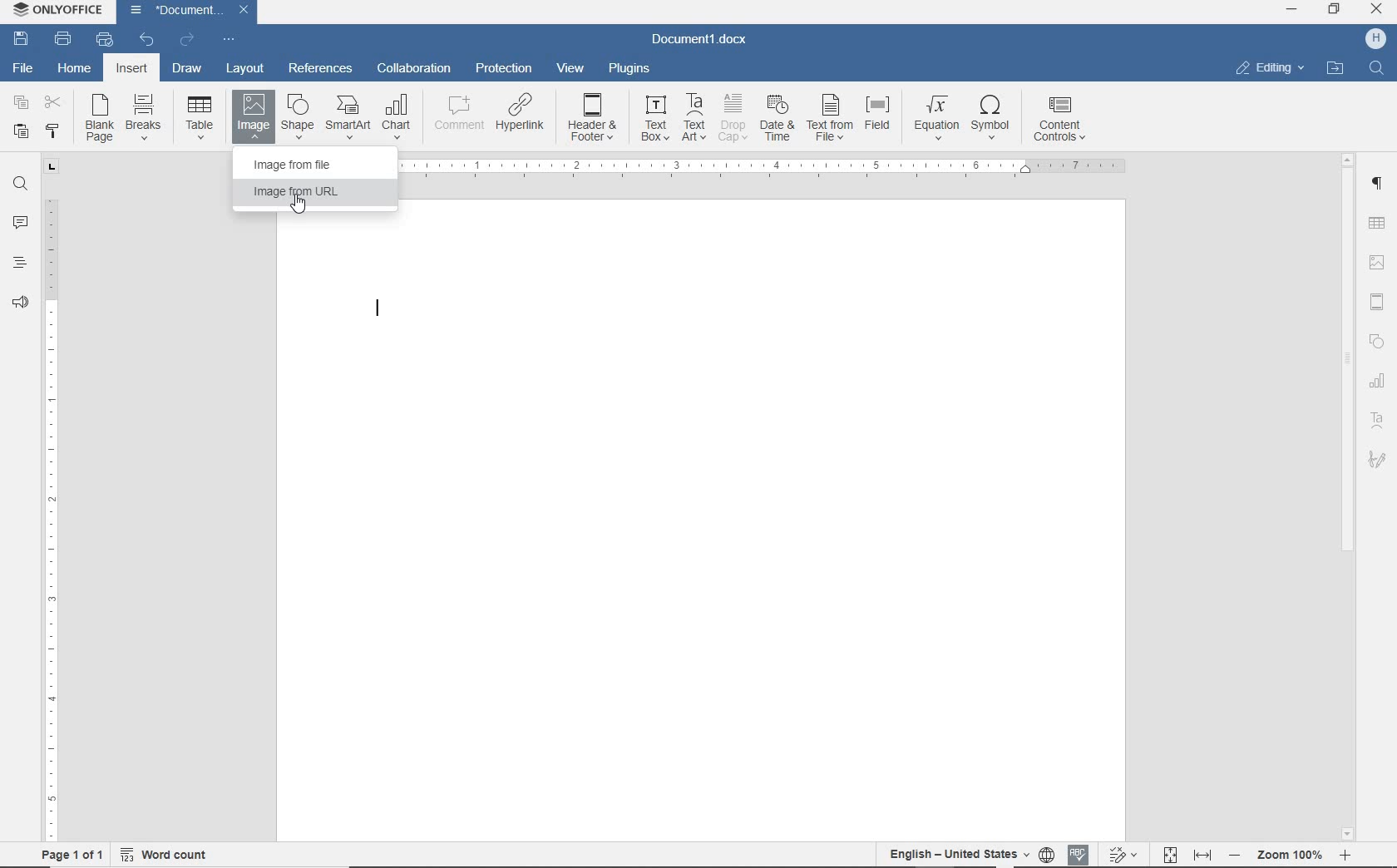  Describe the element at coordinates (1376, 381) in the screenshot. I see `chart` at that location.